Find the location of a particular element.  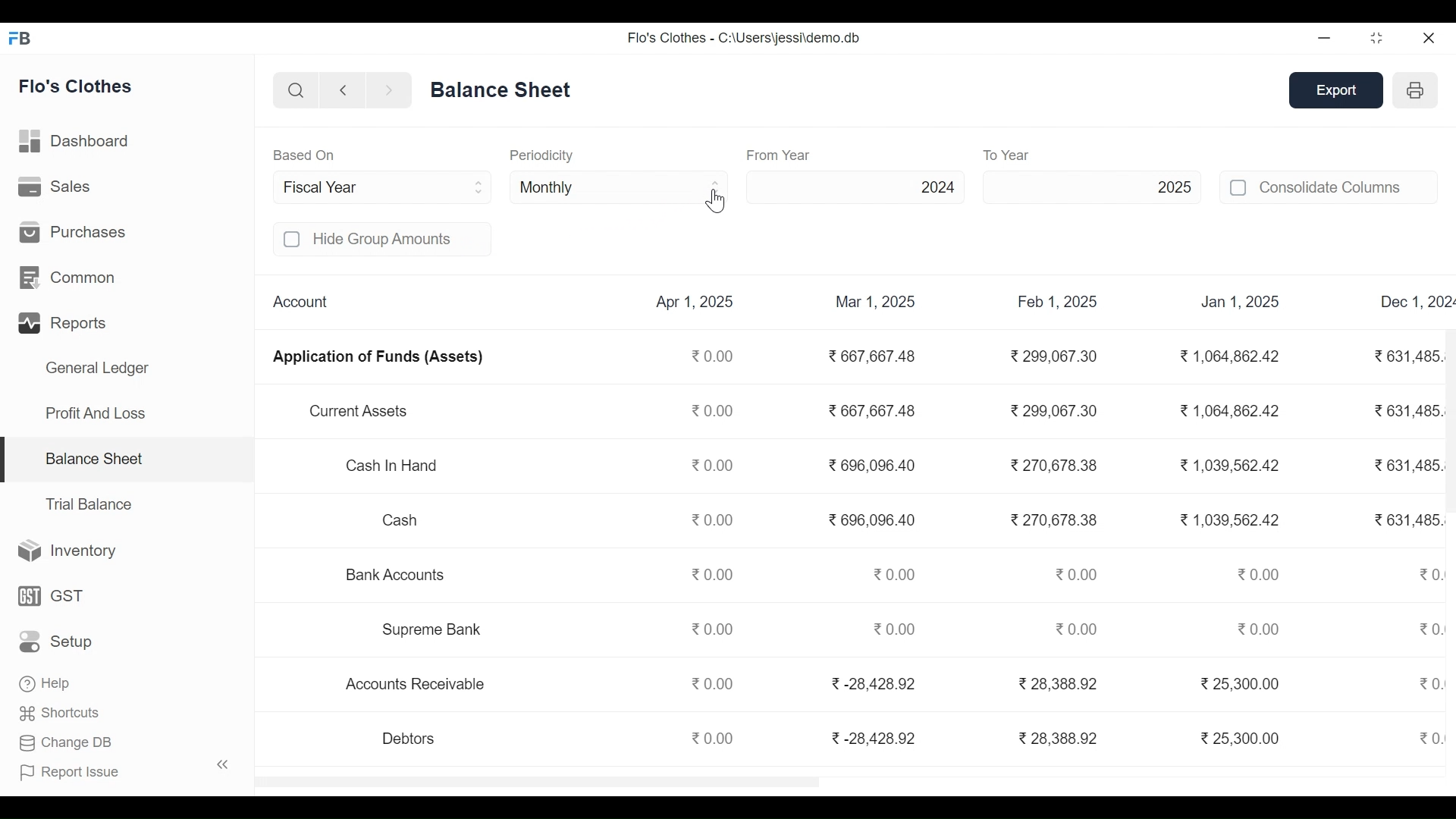

cursor is located at coordinates (717, 201).